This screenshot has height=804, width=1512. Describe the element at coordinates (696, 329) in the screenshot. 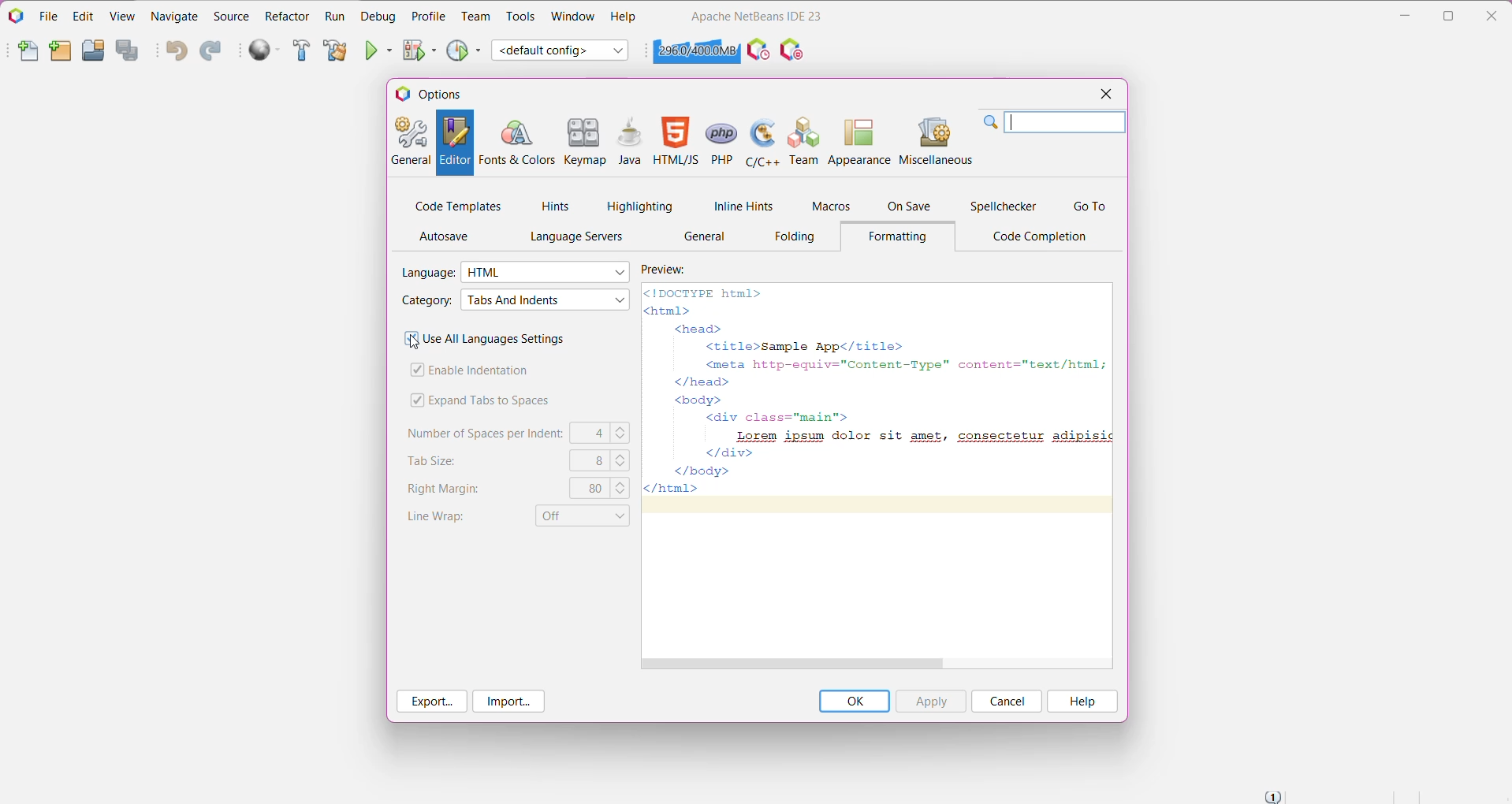

I see `<head>` at that location.